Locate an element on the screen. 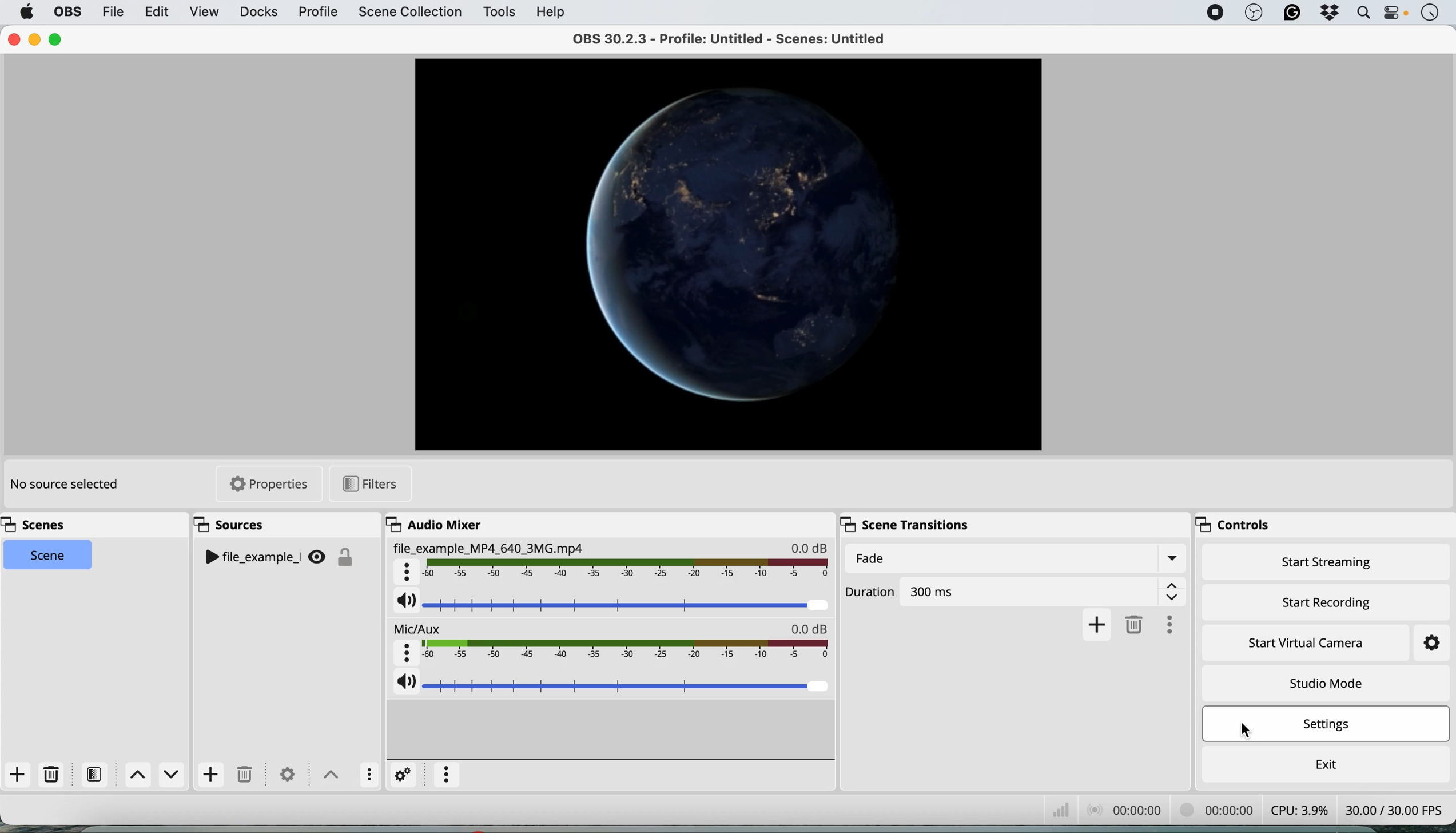 This screenshot has height=833, width=1456. system logo is located at coordinates (27, 12).